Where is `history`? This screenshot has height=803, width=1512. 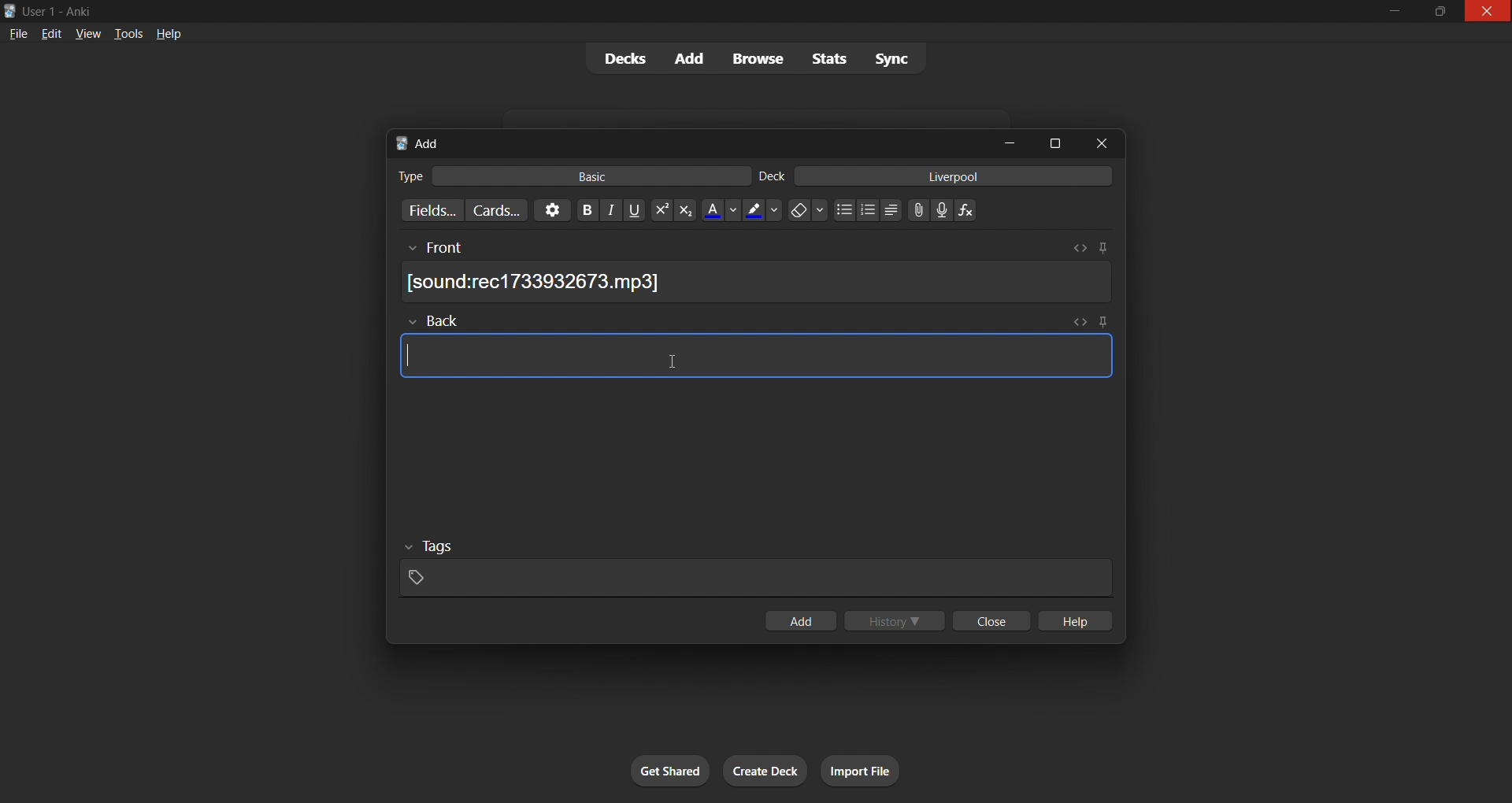
history is located at coordinates (896, 623).